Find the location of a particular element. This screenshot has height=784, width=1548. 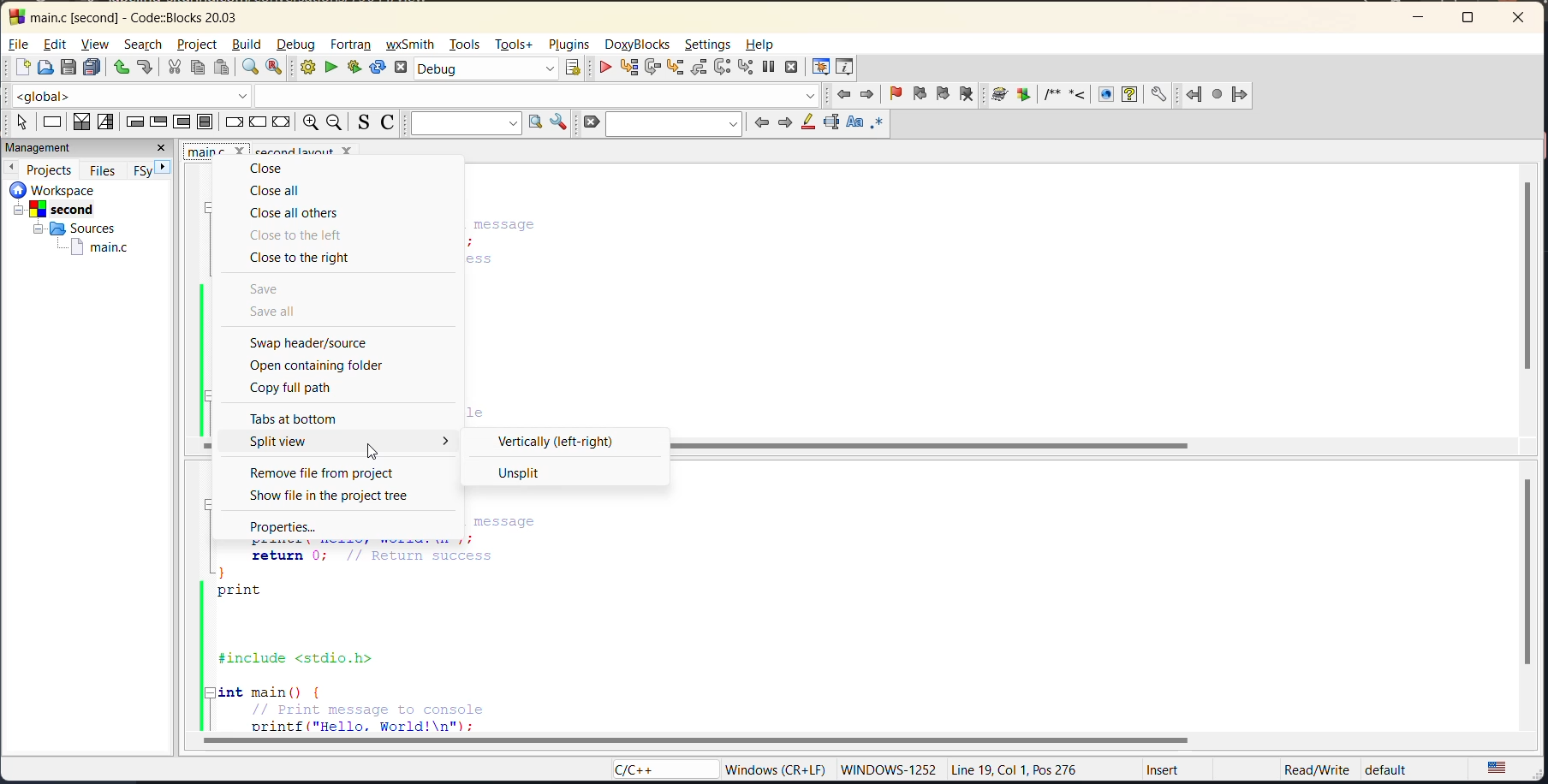

minimize is located at coordinates (1421, 19).